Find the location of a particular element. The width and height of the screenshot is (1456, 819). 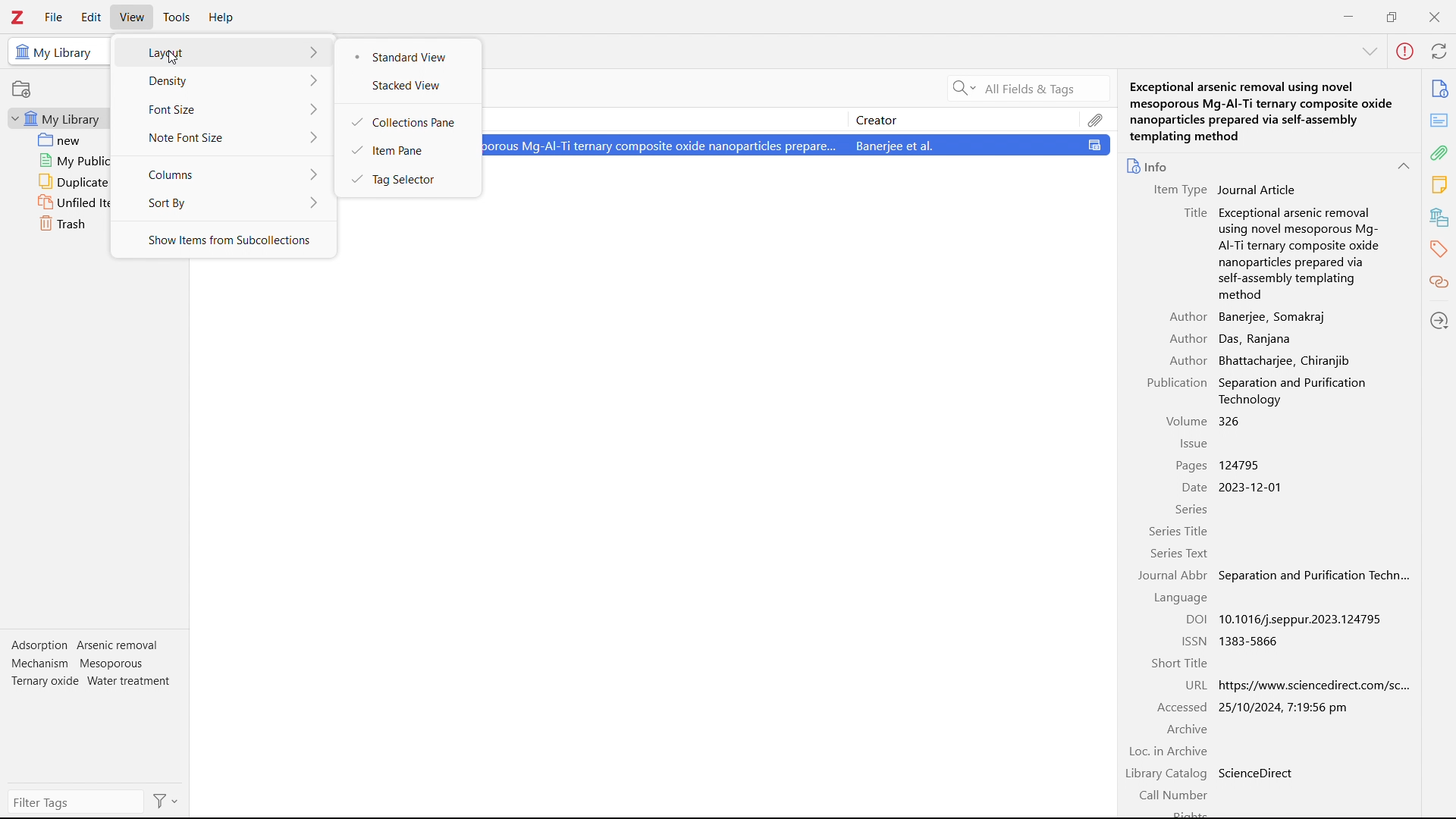

edit is located at coordinates (91, 18).